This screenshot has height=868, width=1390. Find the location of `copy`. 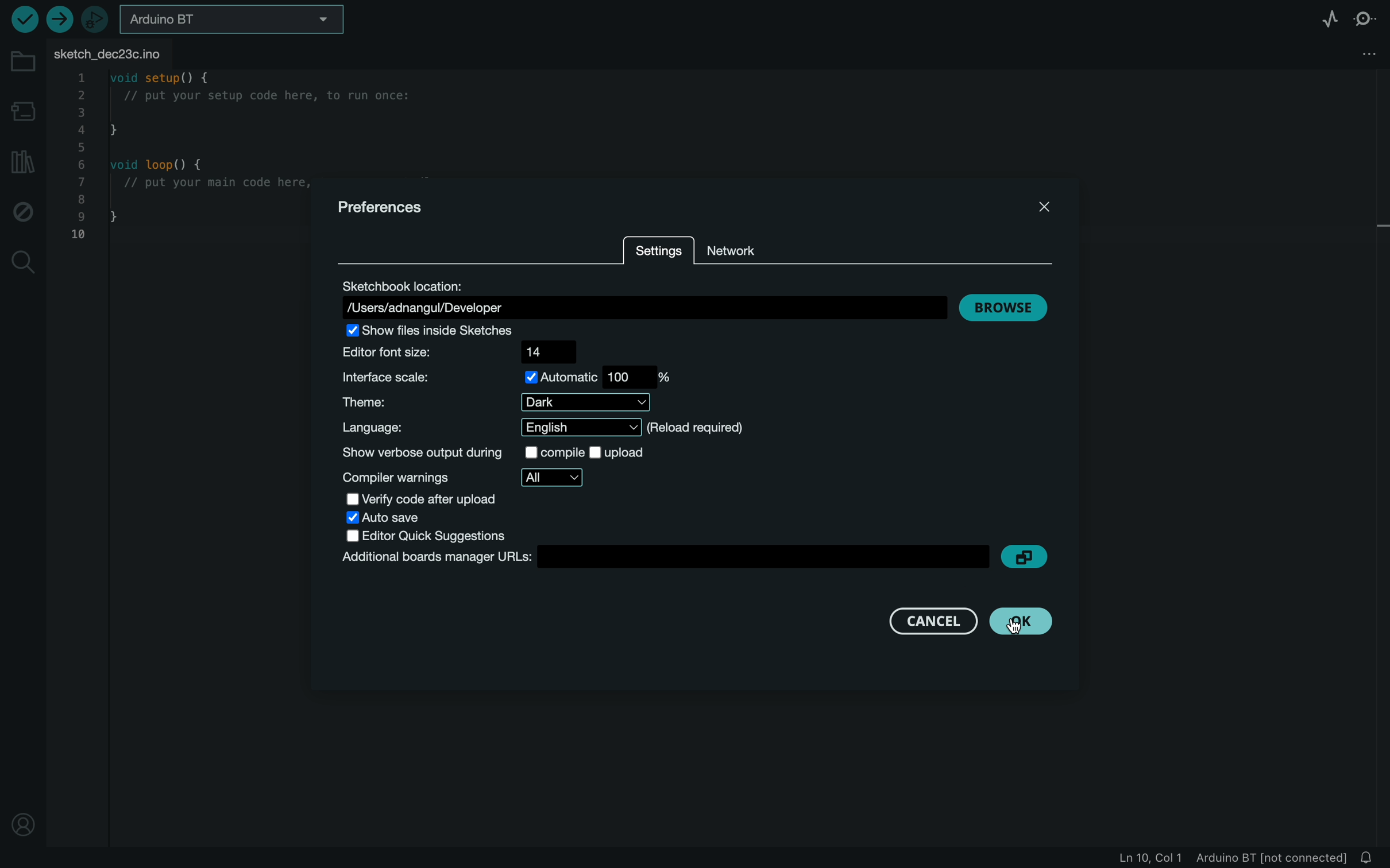

copy is located at coordinates (1029, 555).